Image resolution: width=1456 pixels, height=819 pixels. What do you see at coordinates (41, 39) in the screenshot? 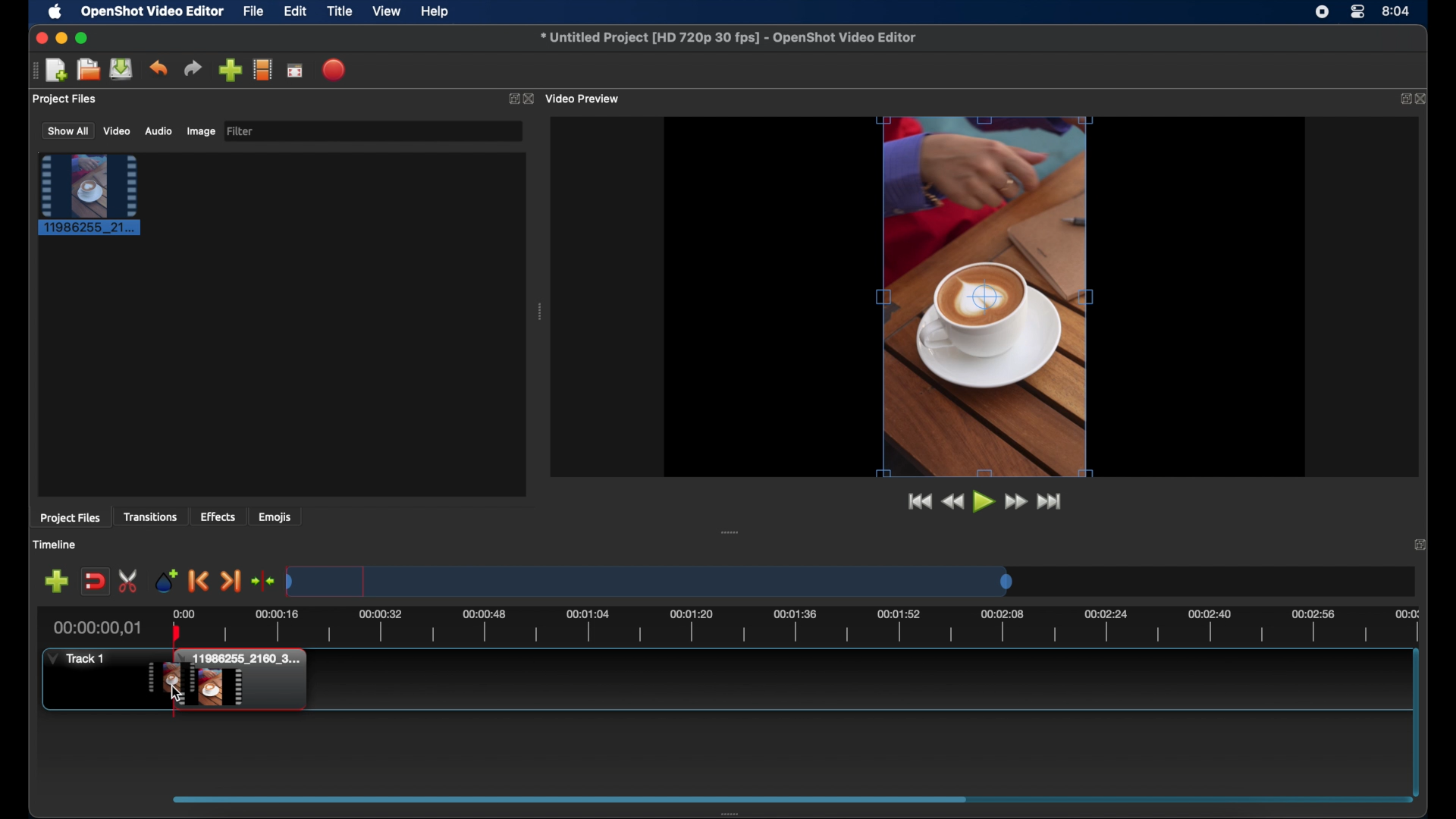
I see `close` at bounding box center [41, 39].